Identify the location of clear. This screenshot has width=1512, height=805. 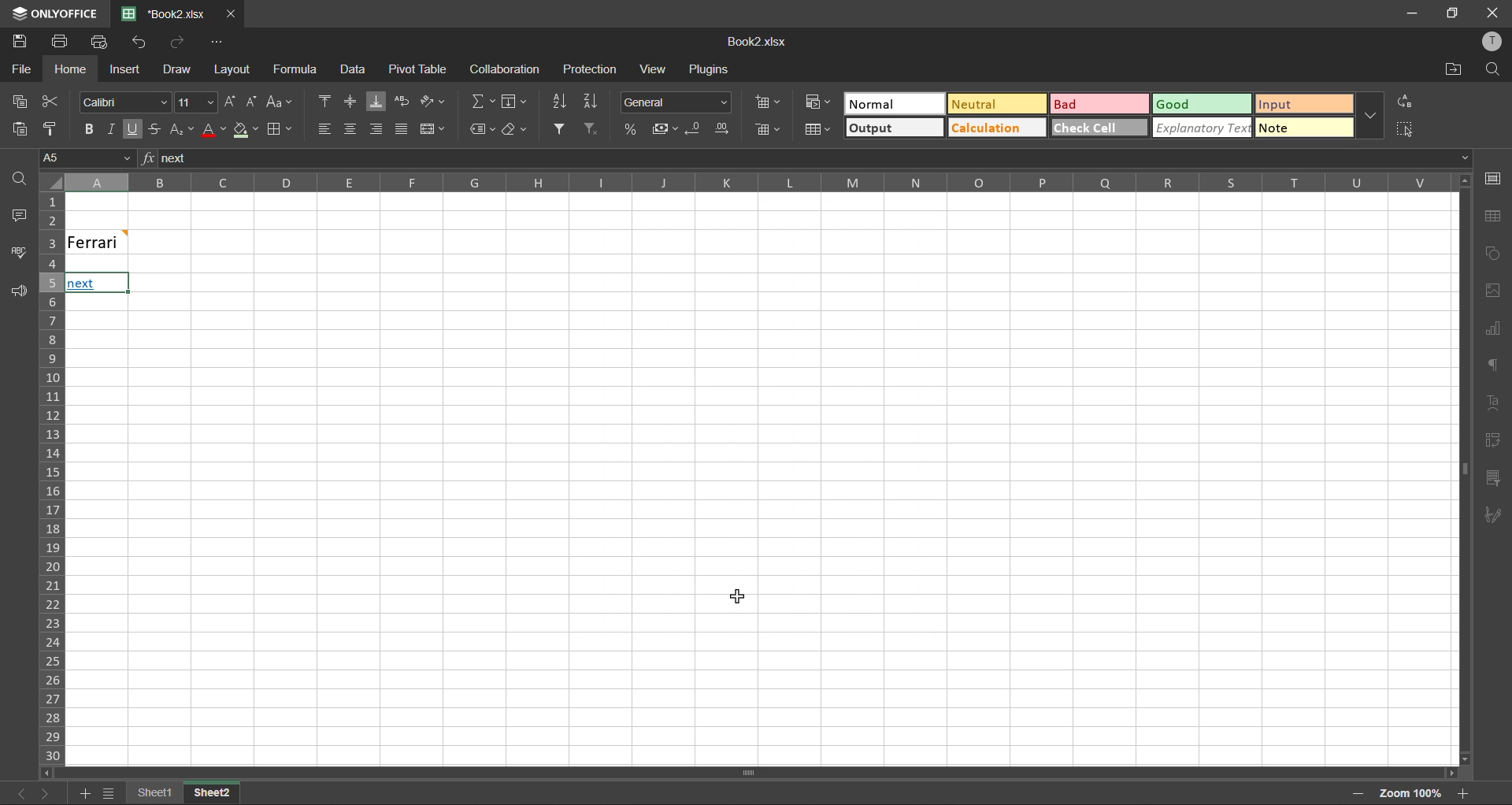
(517, 132).